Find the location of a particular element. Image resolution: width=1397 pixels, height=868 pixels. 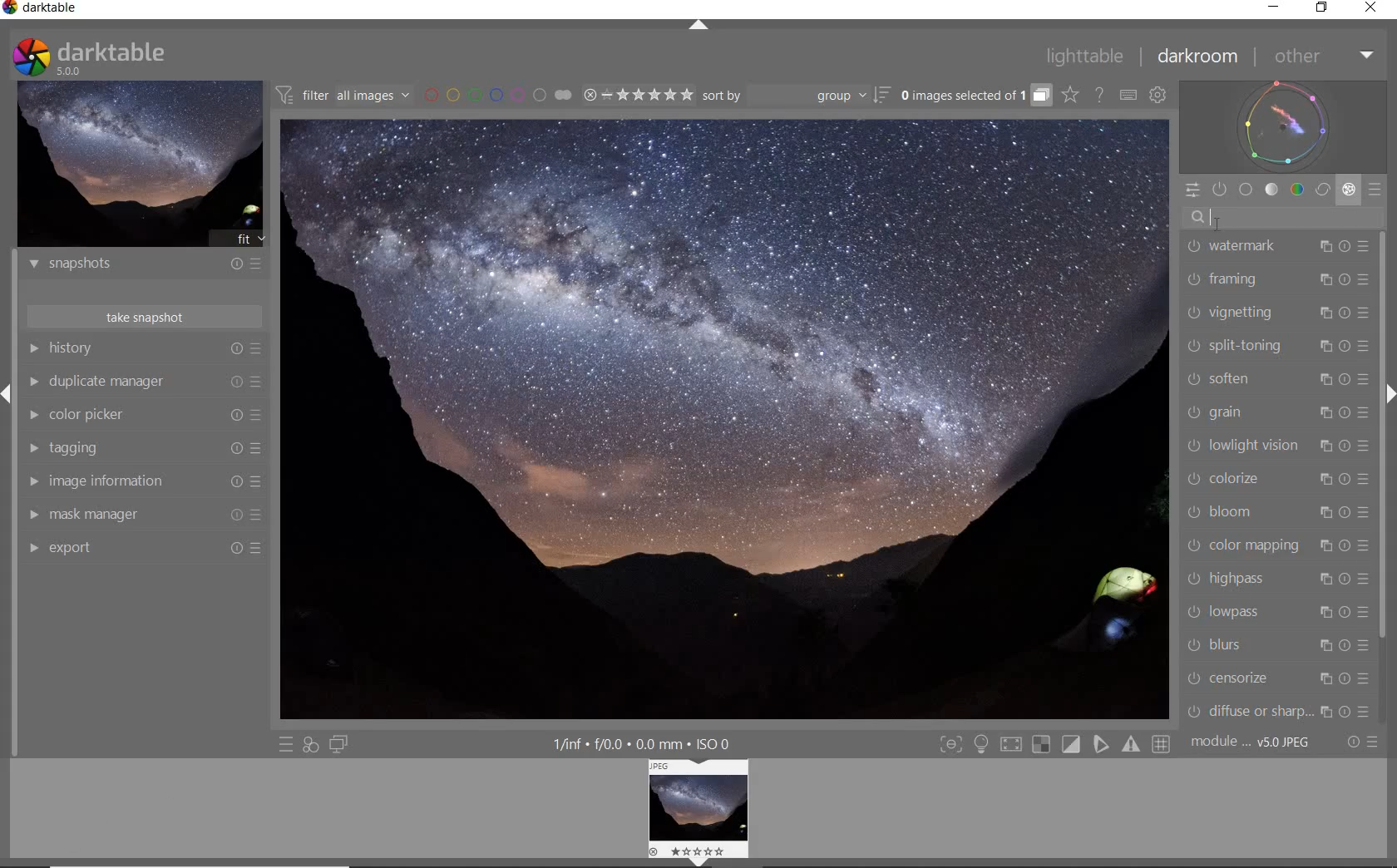

WATERMARK is located at coordinates (1233, 244).